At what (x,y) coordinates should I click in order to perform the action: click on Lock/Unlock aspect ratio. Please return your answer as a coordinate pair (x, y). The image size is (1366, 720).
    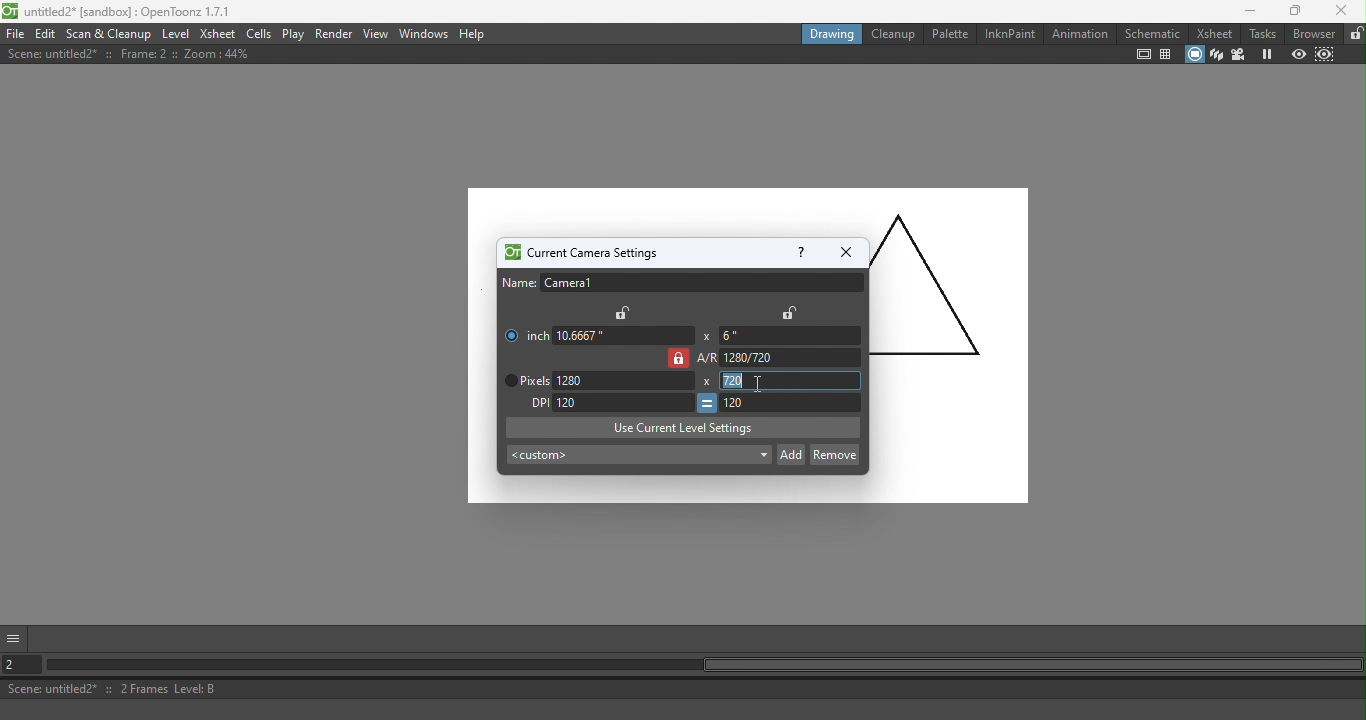
    Looking at the image, I should click on (677, 358).